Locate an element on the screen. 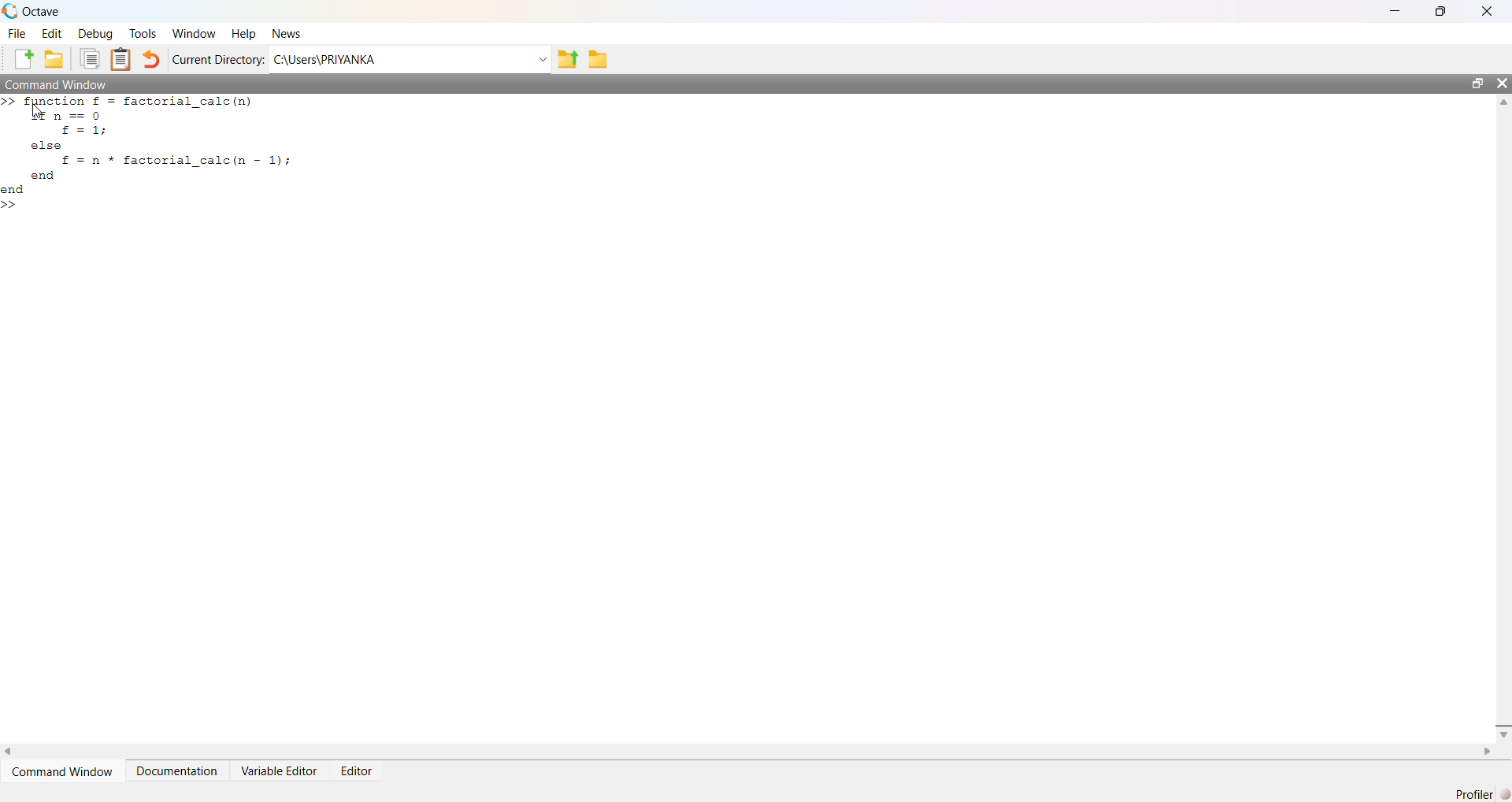 The height and width of the screenshot is (802, 1512). logo is located at coordinates (11, 12).